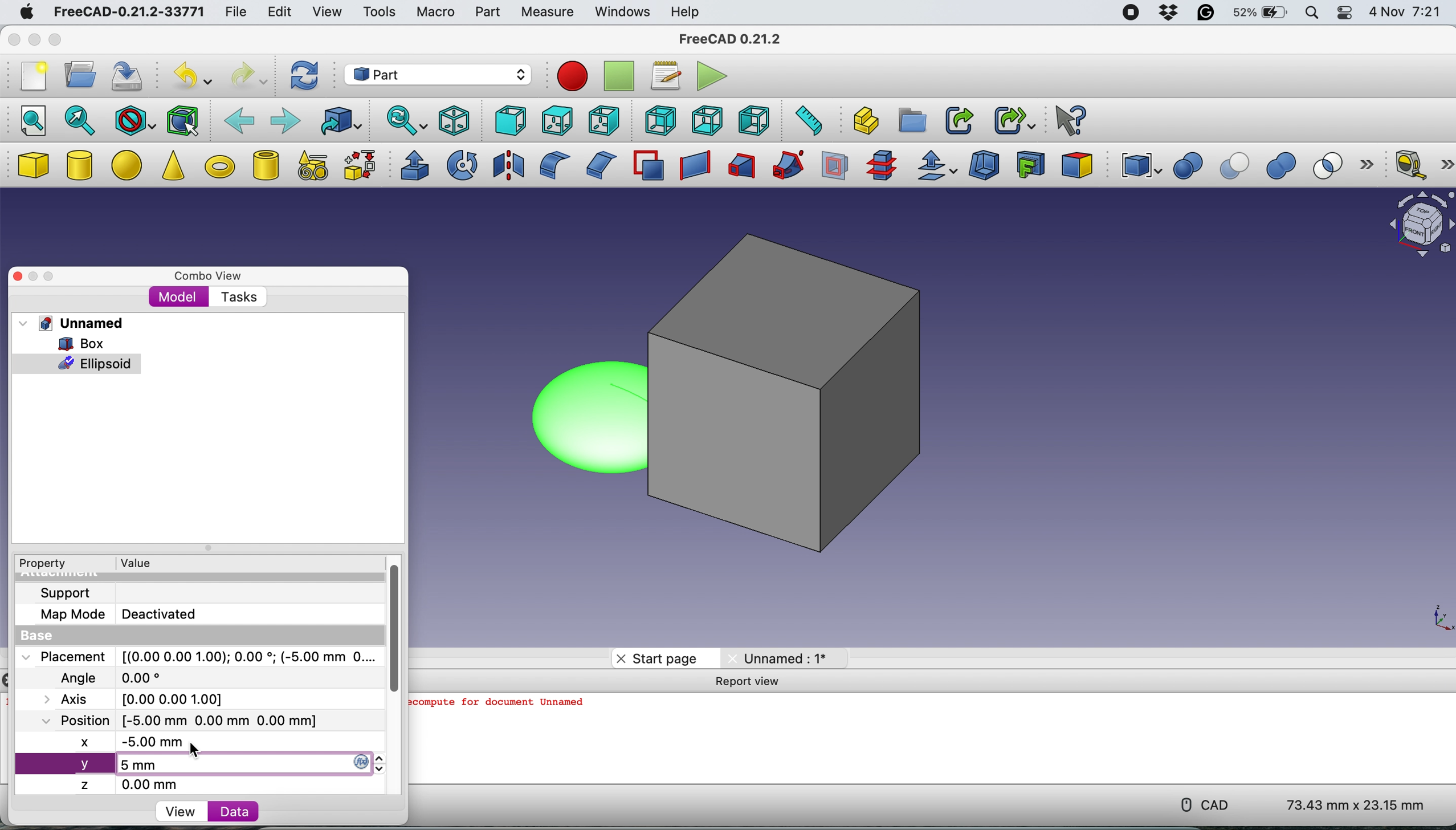  Describe the element at coordinates (555, 120) in the screenshot. I see `top` at that location.